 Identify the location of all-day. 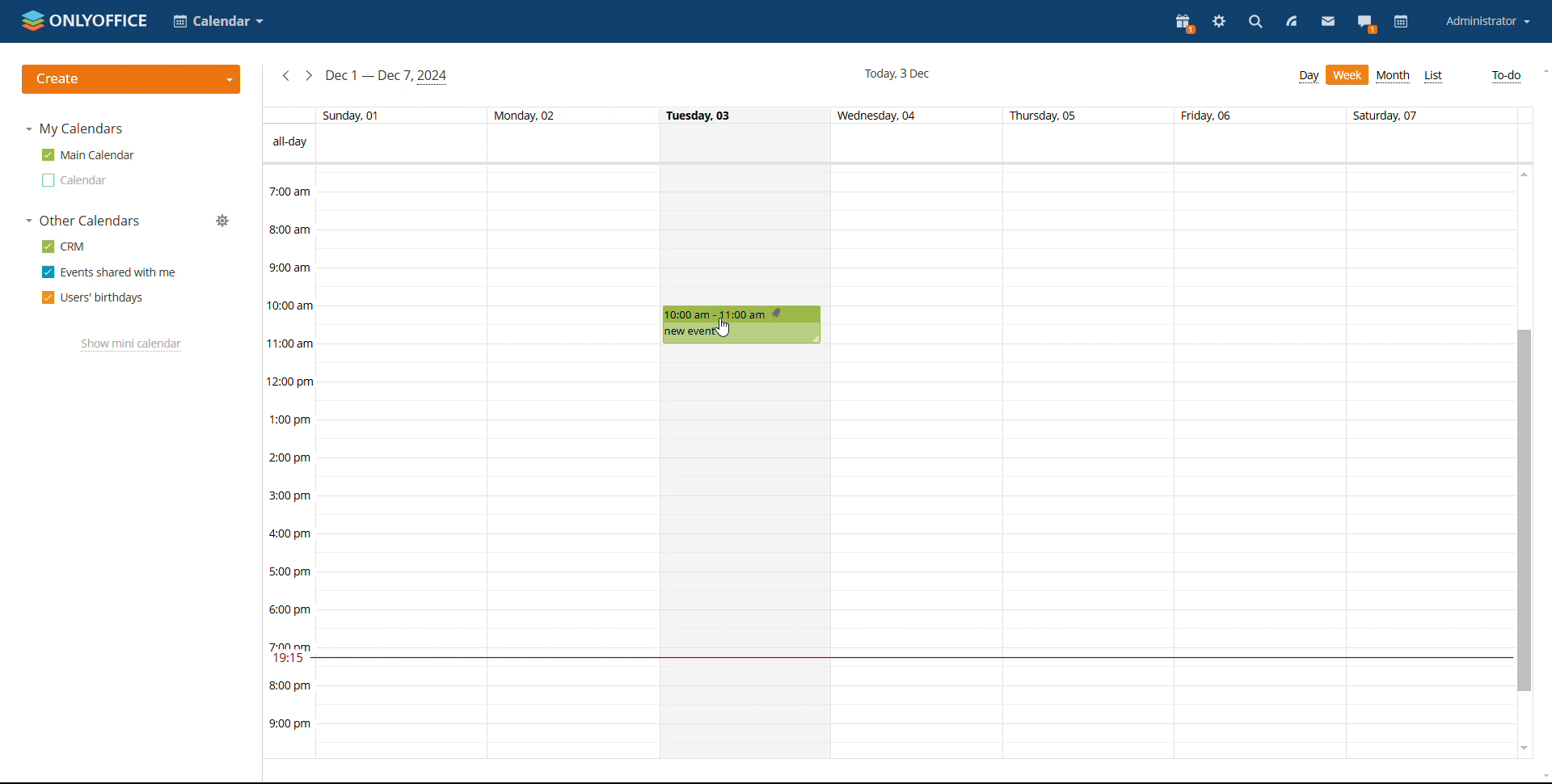
(290, 141).